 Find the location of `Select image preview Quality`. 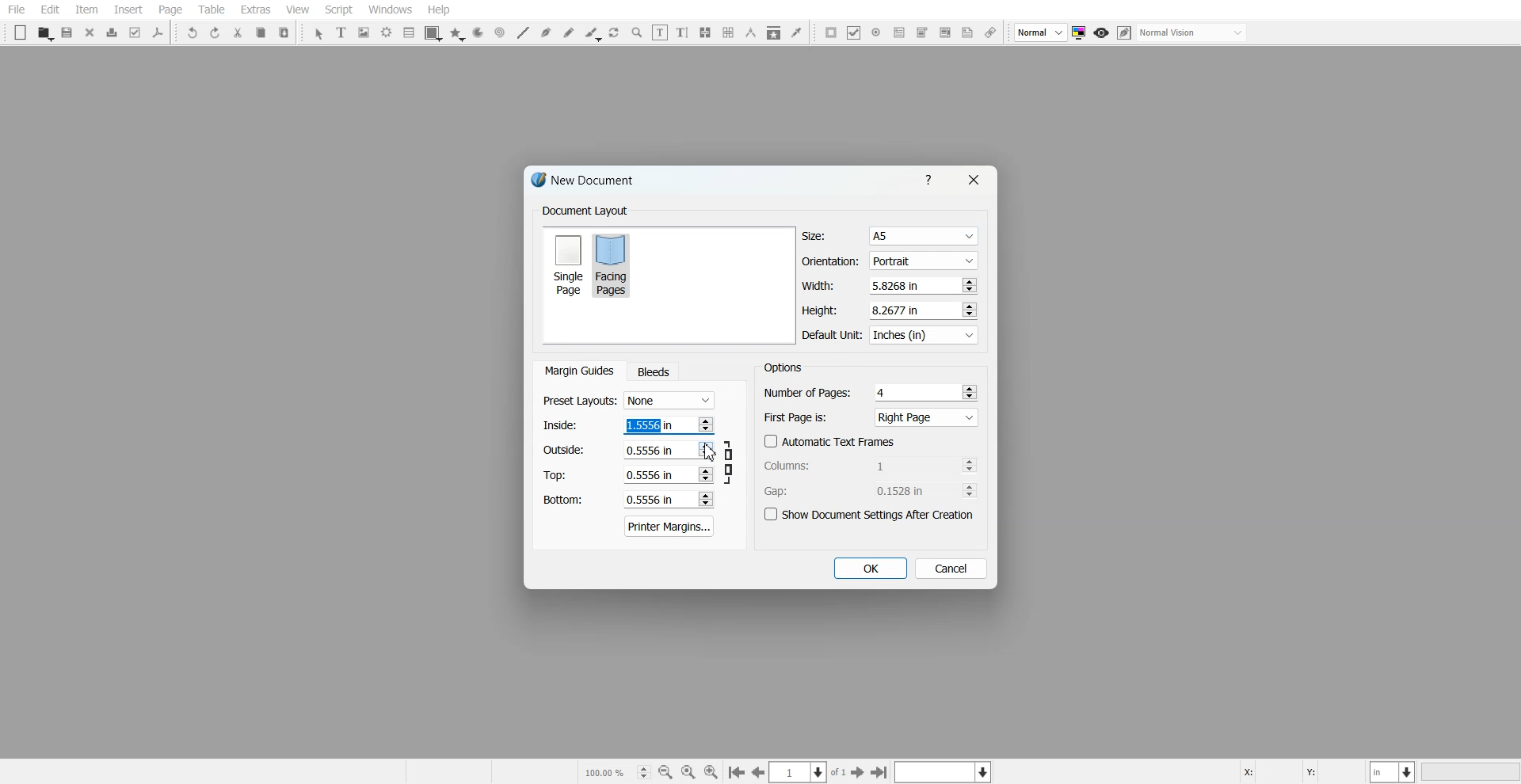

Select image preview Quality is located at coordinates (1041, 32).